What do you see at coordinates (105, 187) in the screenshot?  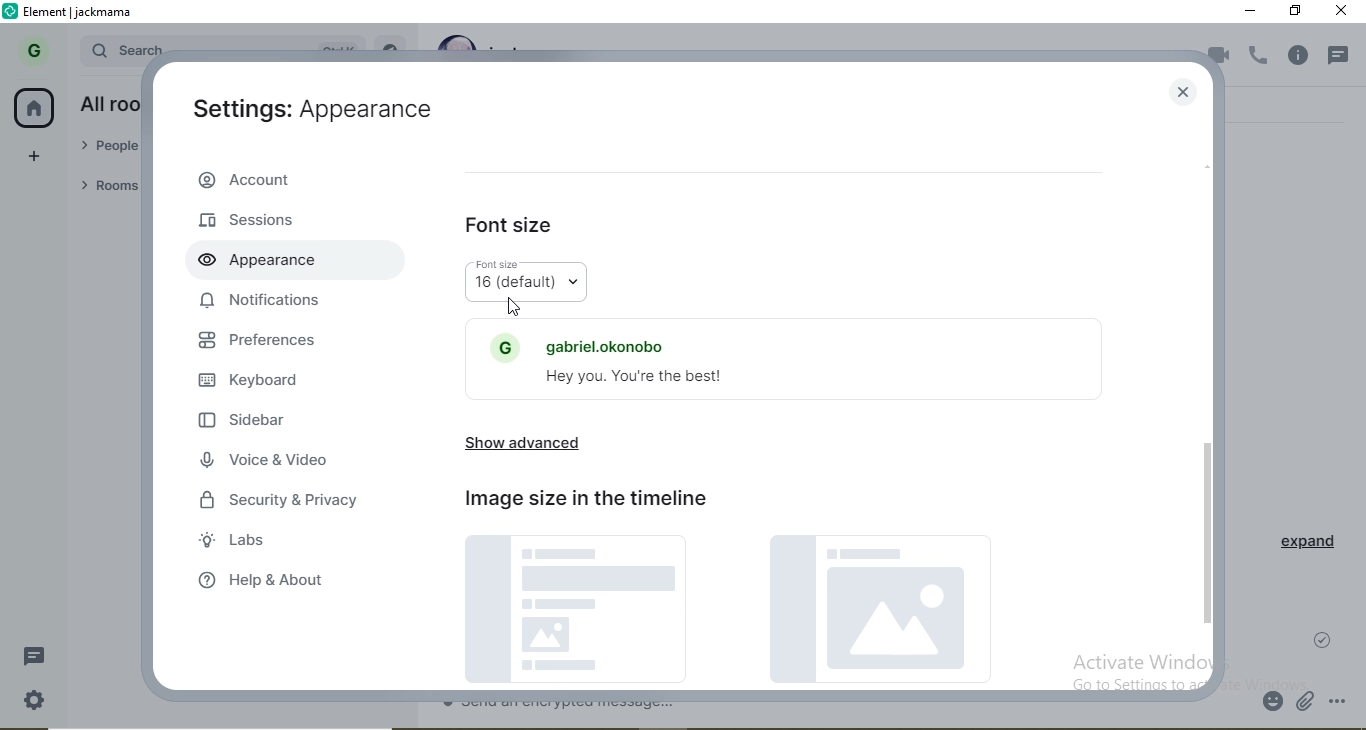 I see `rooms` at bounding box center [105, 187].